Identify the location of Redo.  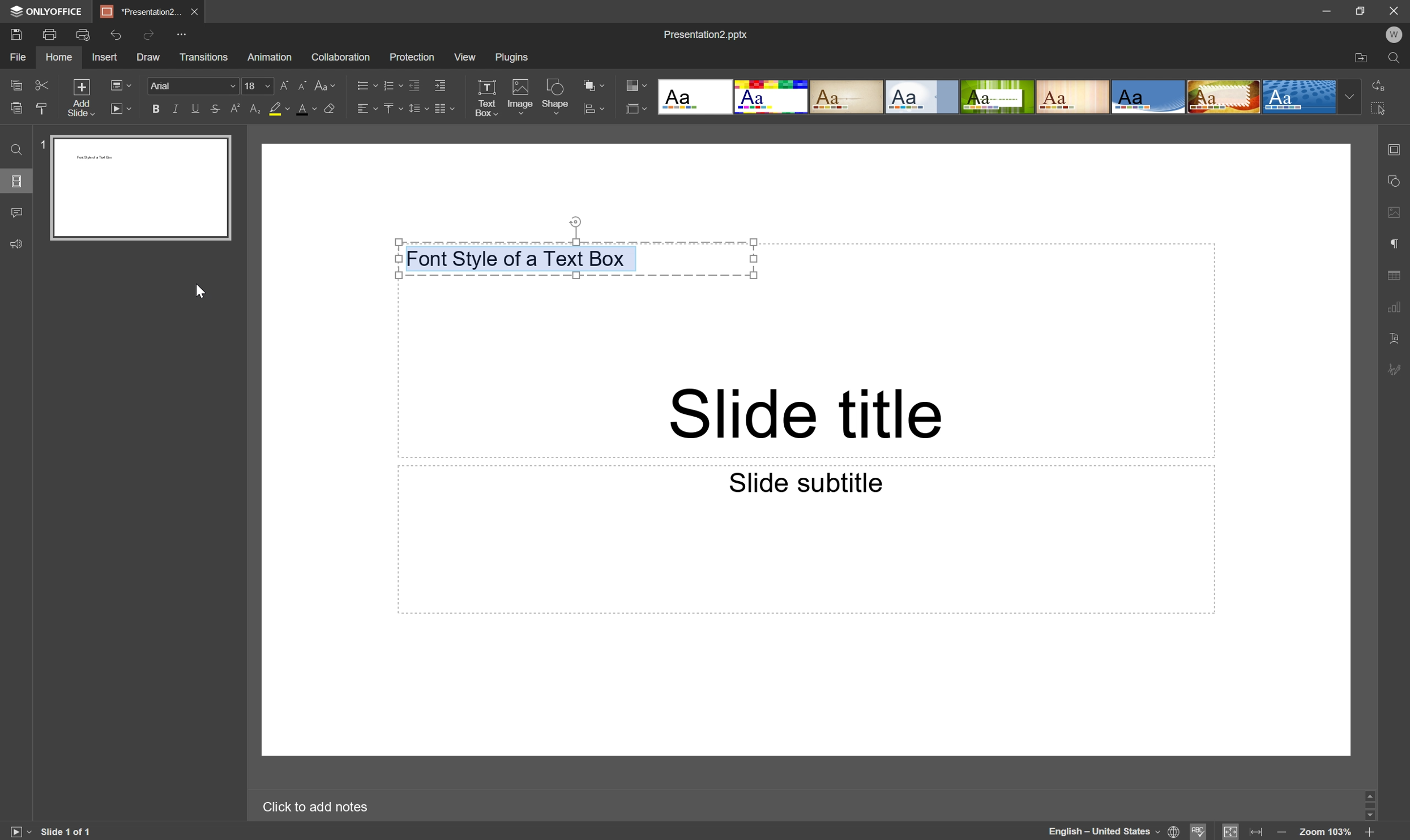
(151, 36).